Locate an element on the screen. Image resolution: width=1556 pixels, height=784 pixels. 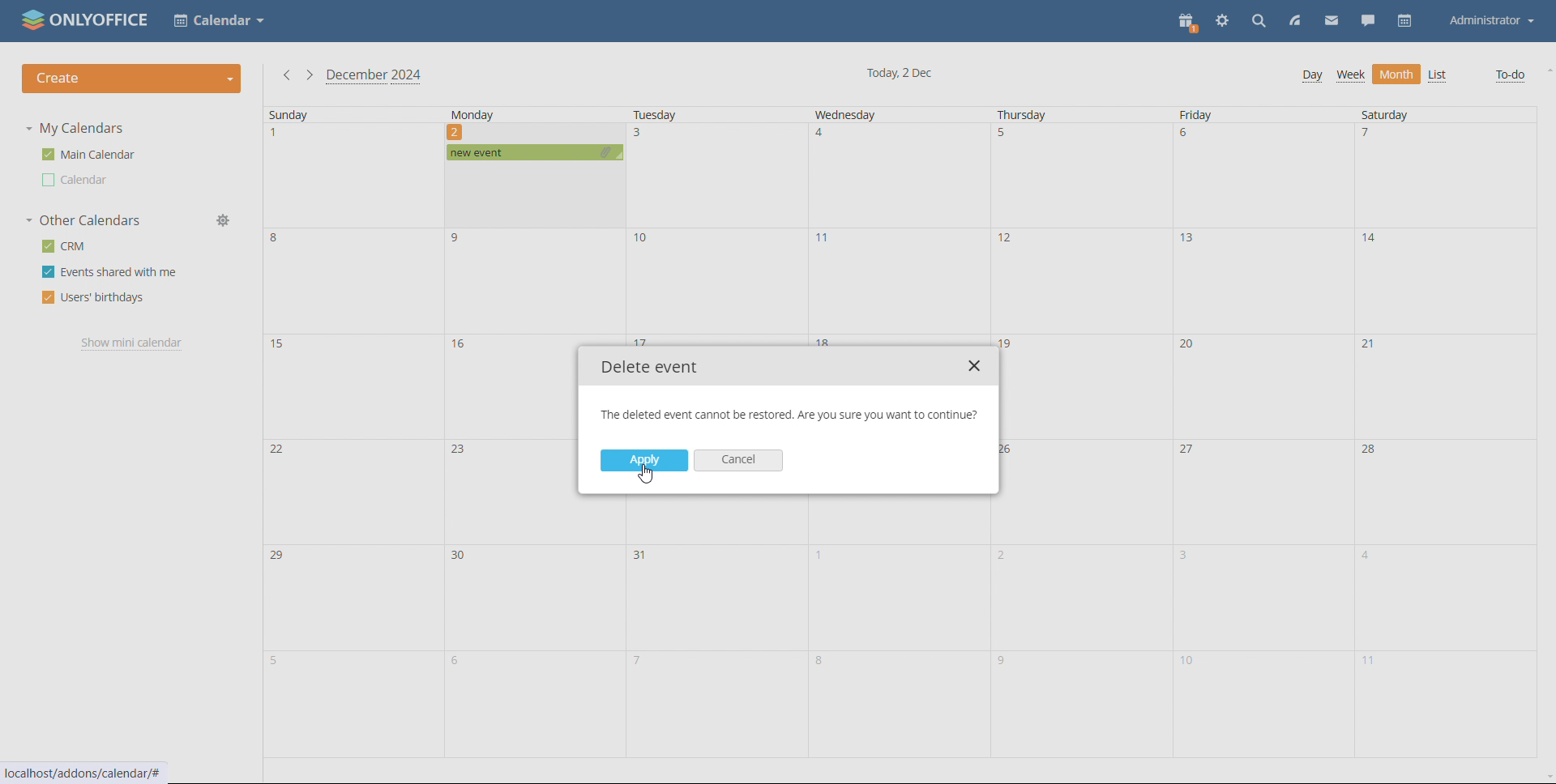
Administrator is located at coordinates (1491, 21).